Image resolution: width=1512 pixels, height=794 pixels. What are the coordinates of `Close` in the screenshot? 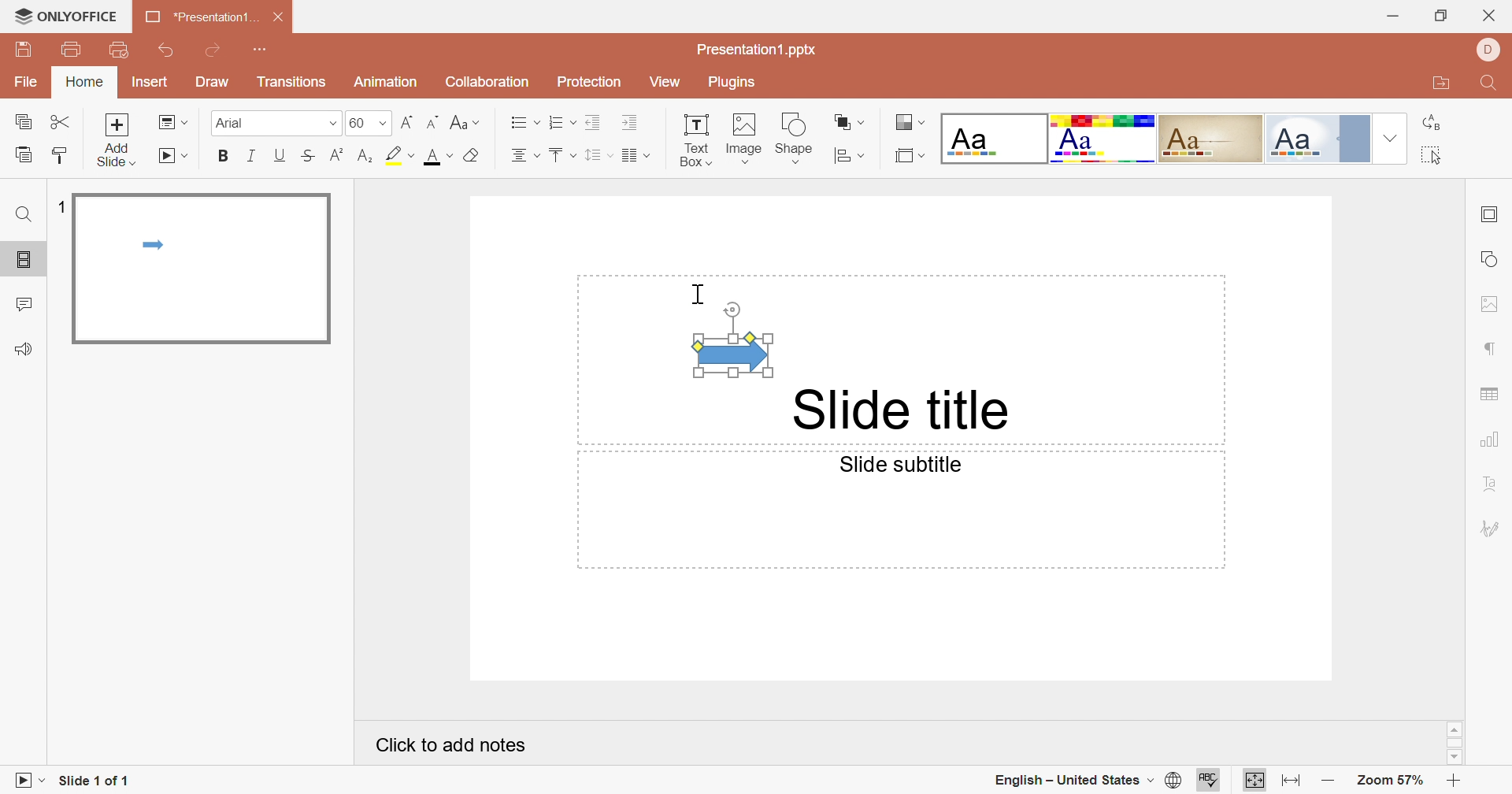 It's located at (1488, 17).